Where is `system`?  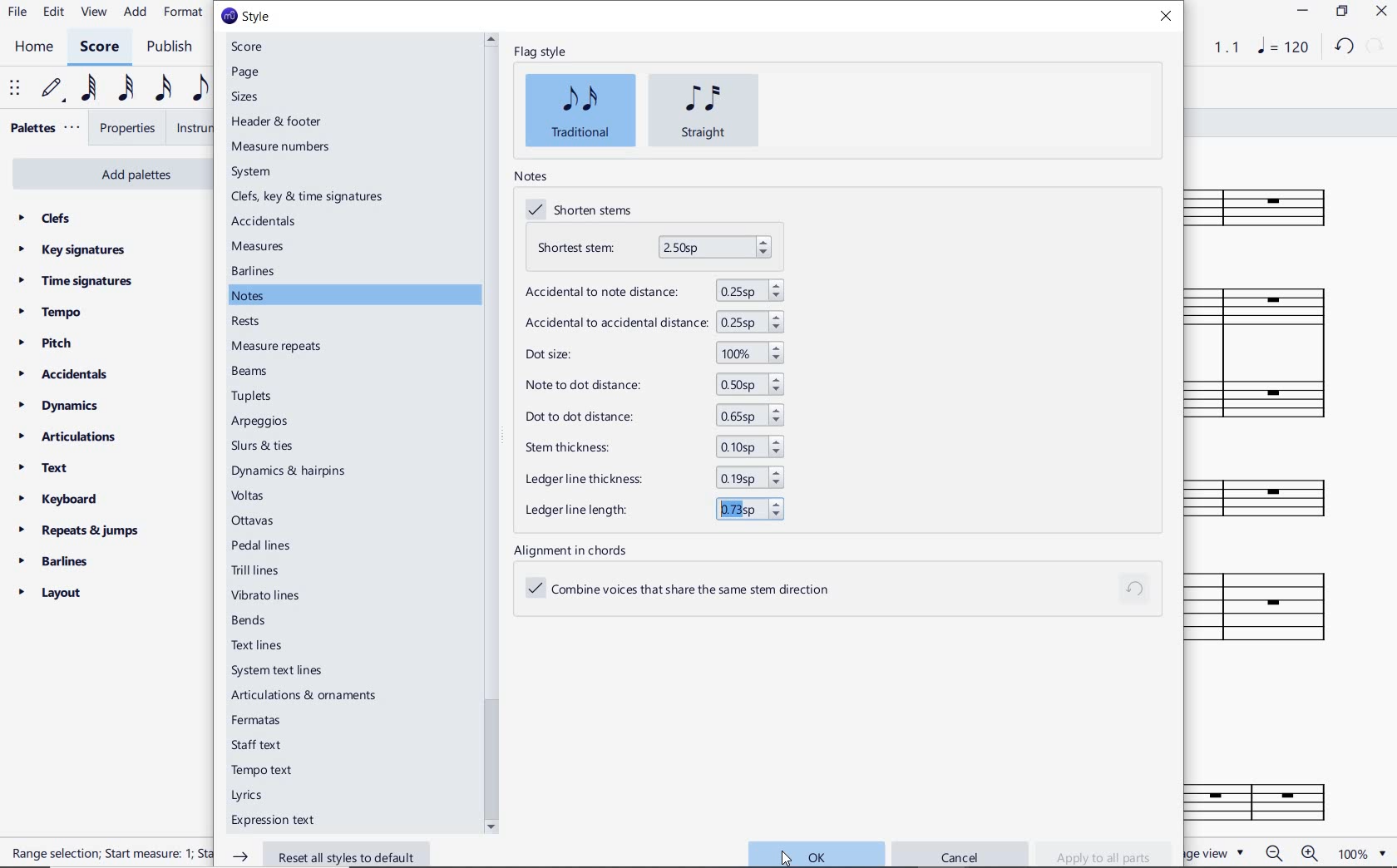 system is located at coordinates (251, 174).